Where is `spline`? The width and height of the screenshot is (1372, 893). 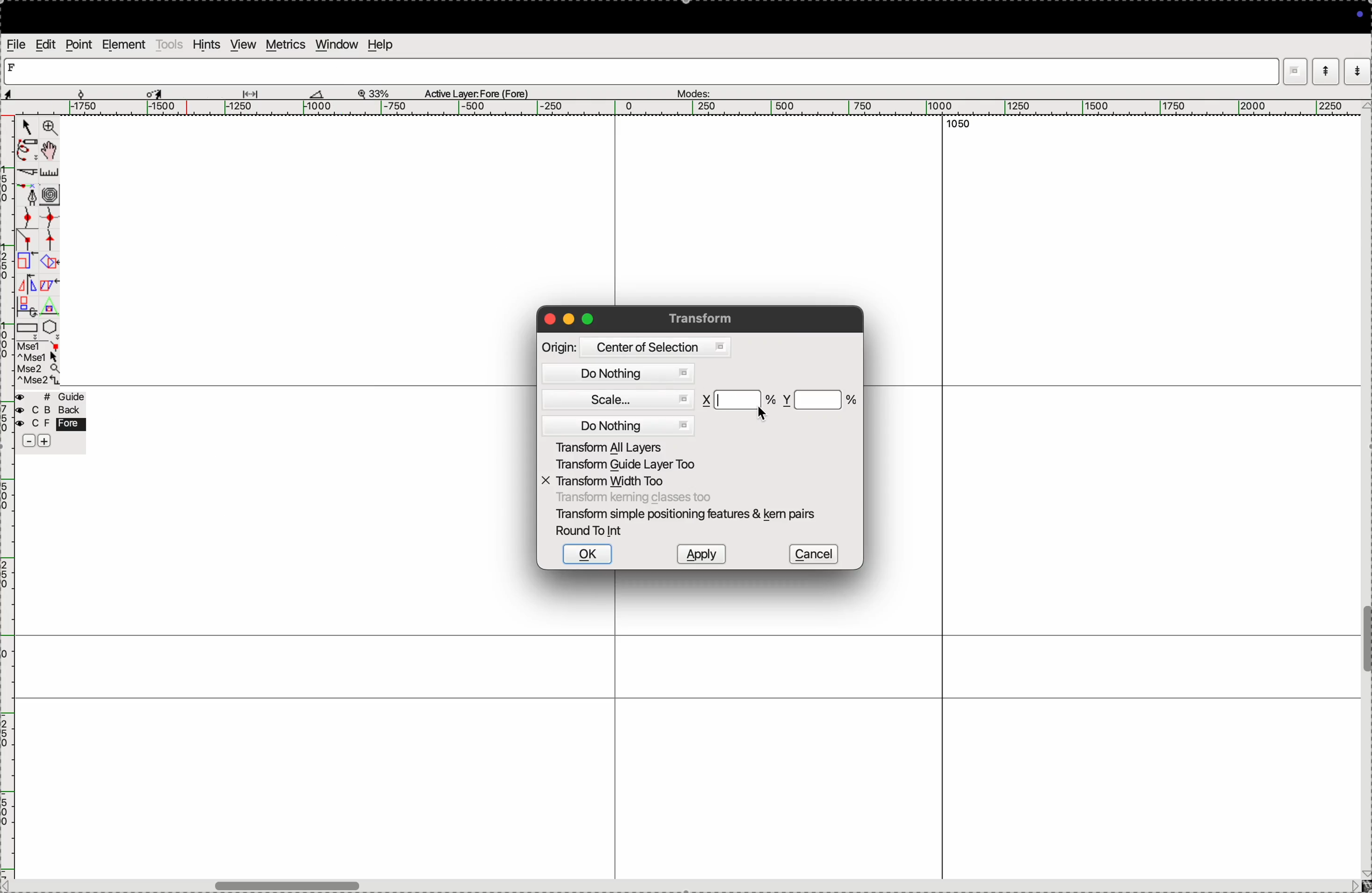
spline is located at coordinates (49, 230).